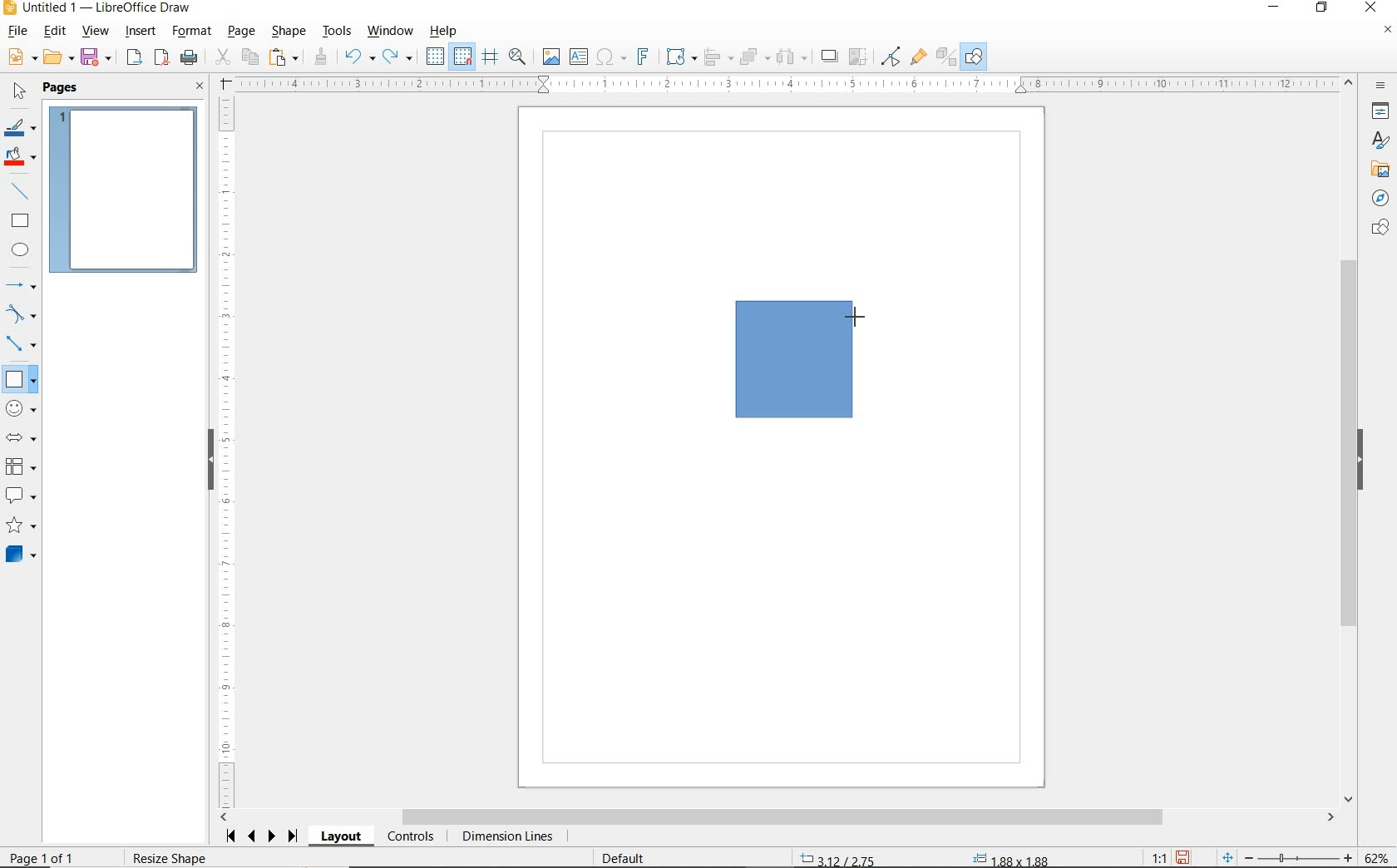 This screenshot has width=1397, height=868. I want to click on ELLIPSE, so click(22, 249).